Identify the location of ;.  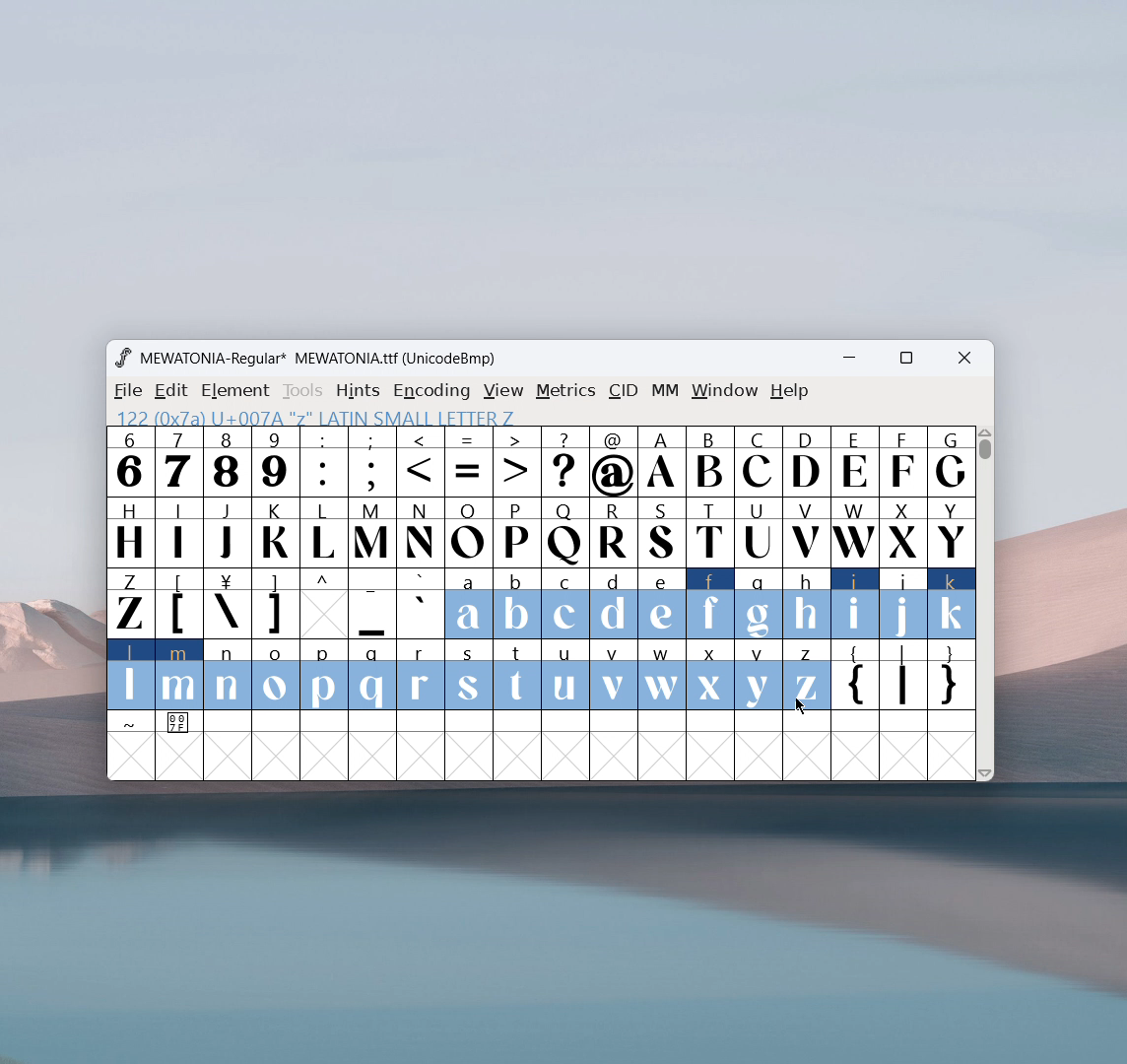
(372, 462).